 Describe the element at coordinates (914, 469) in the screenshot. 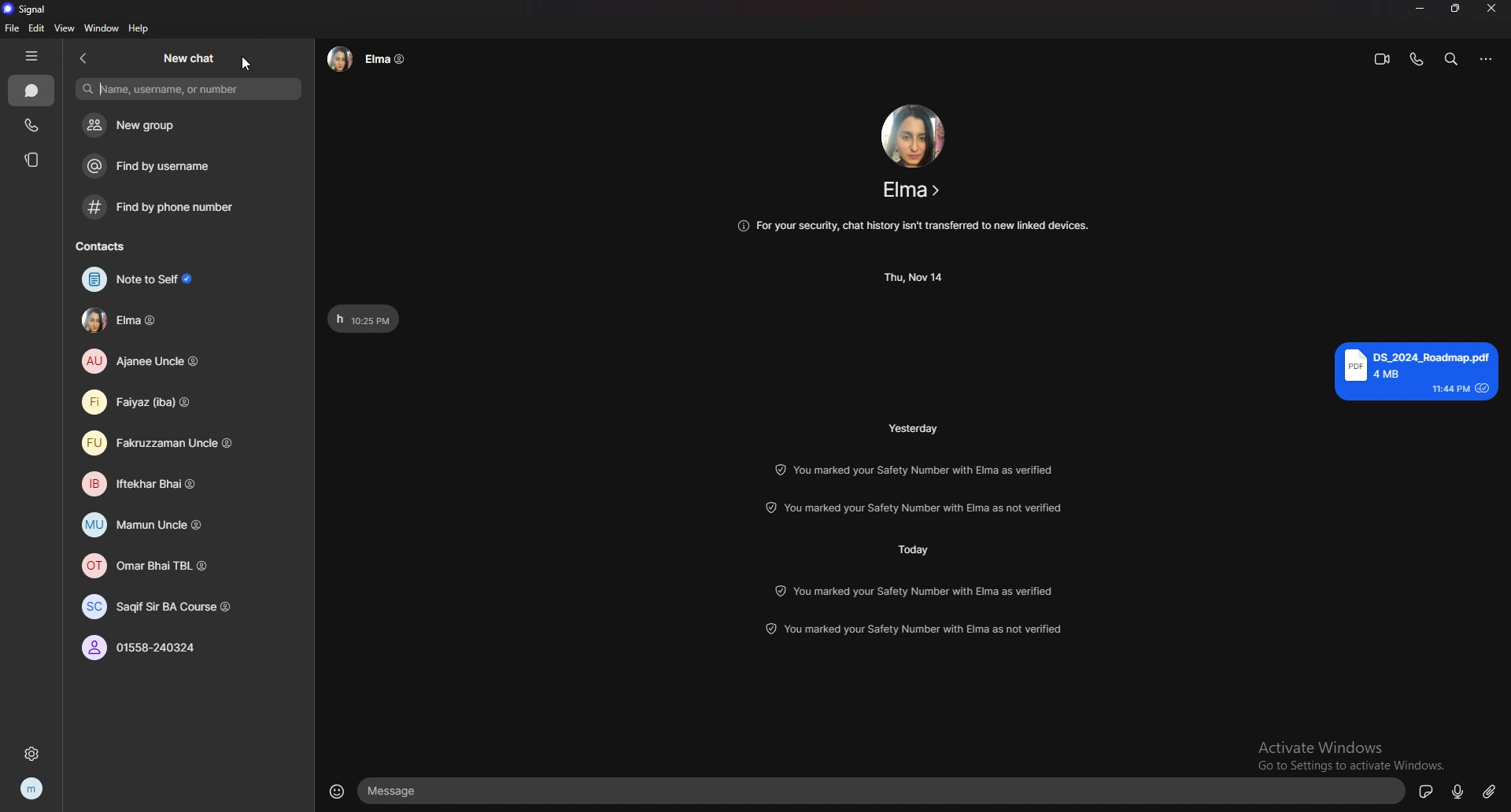

I see `update` at that location.